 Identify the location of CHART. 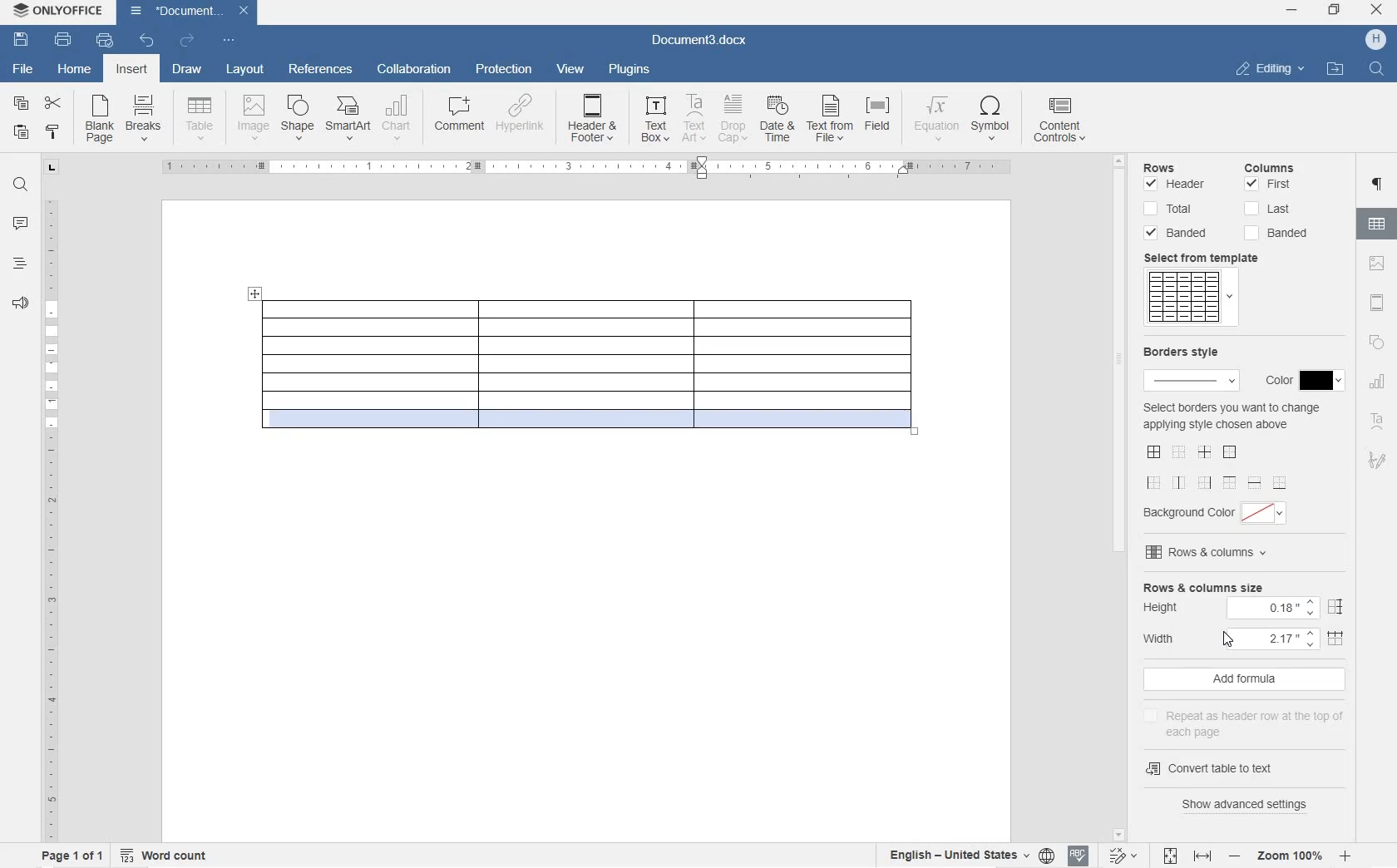
(396, 121).